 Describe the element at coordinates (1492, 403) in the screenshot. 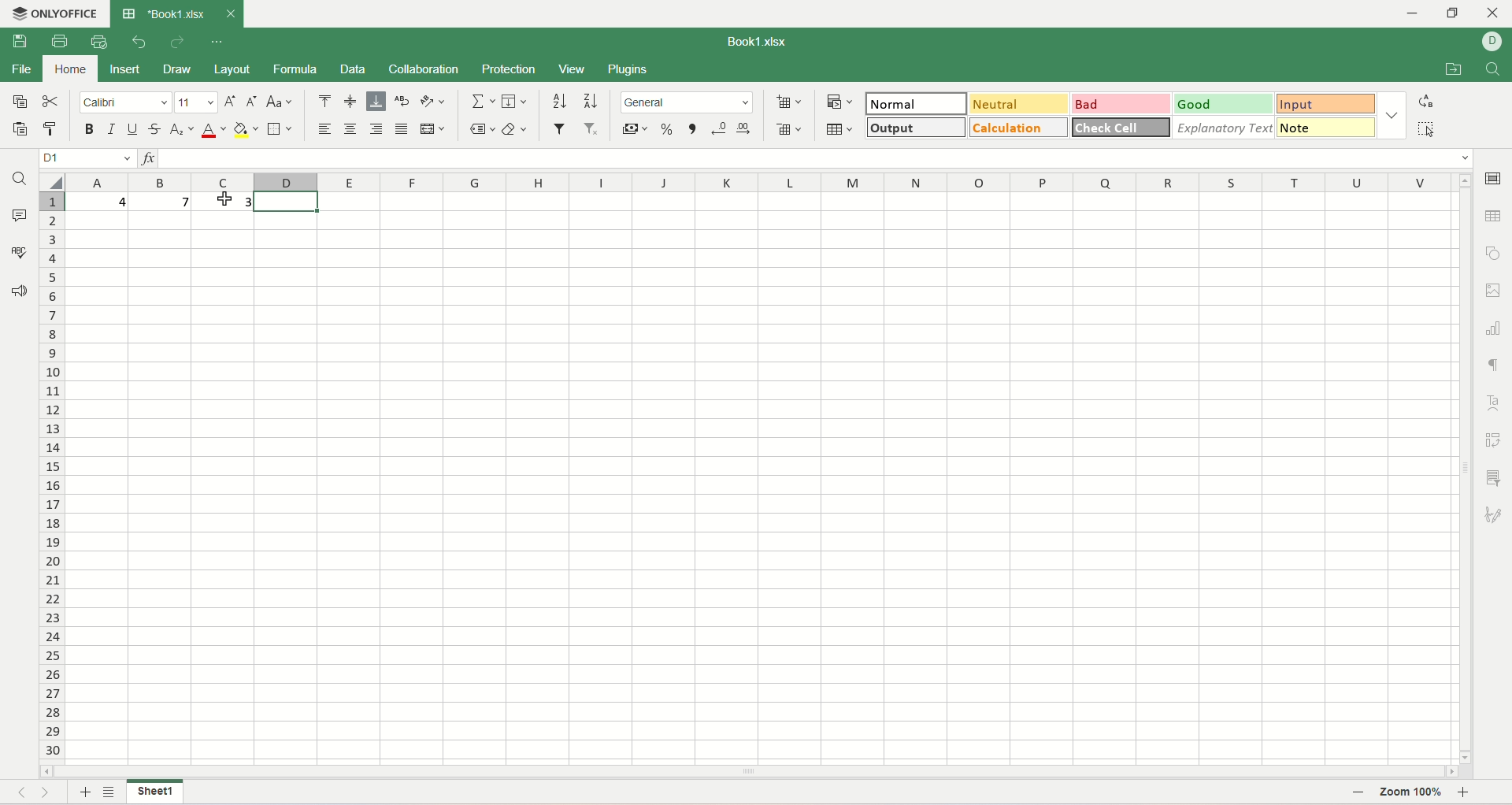

I see `text art settings` at that location.